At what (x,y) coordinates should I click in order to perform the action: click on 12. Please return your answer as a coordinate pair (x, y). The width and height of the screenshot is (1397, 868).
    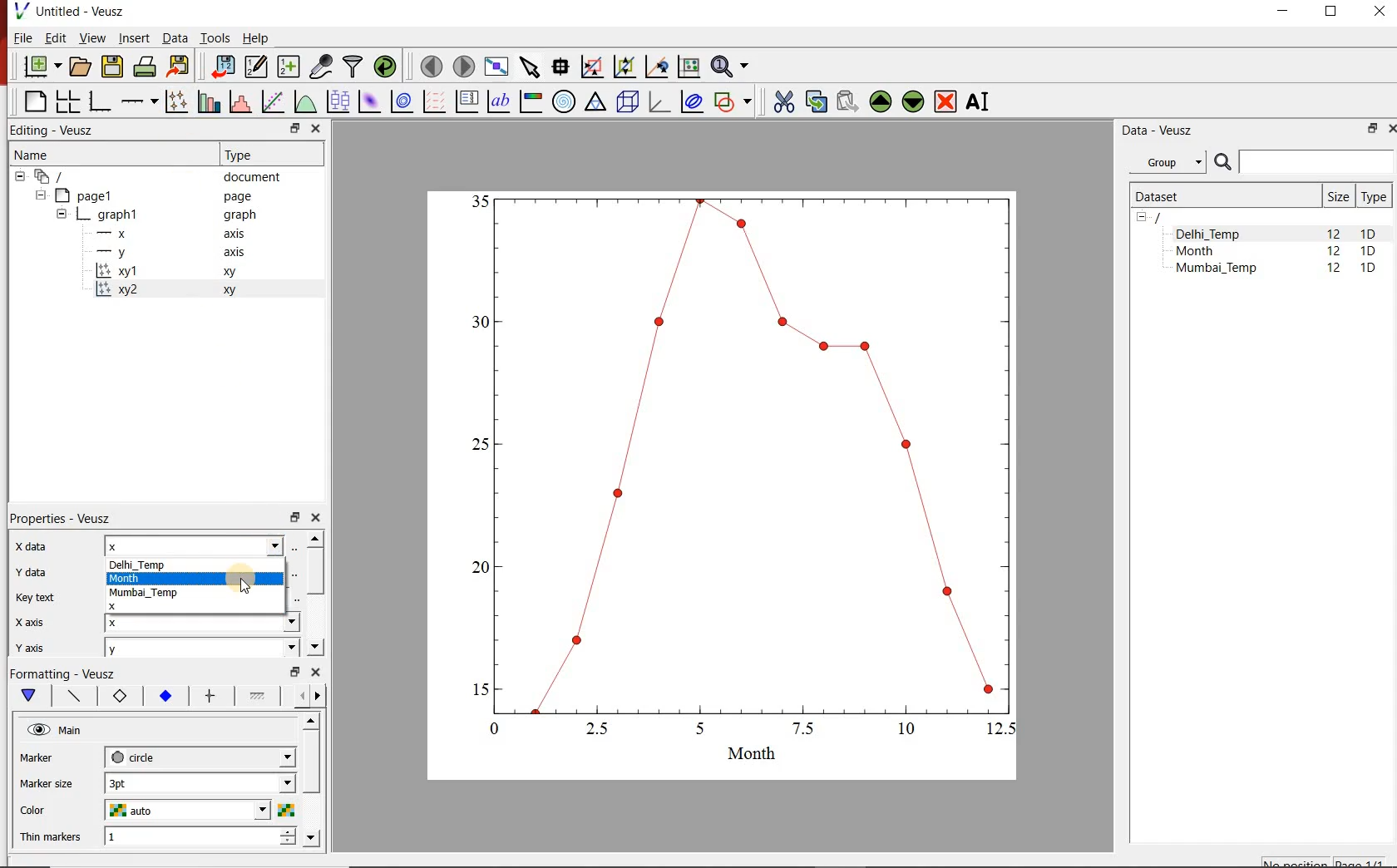
    Looking at the image, I should click on (1333, 233).